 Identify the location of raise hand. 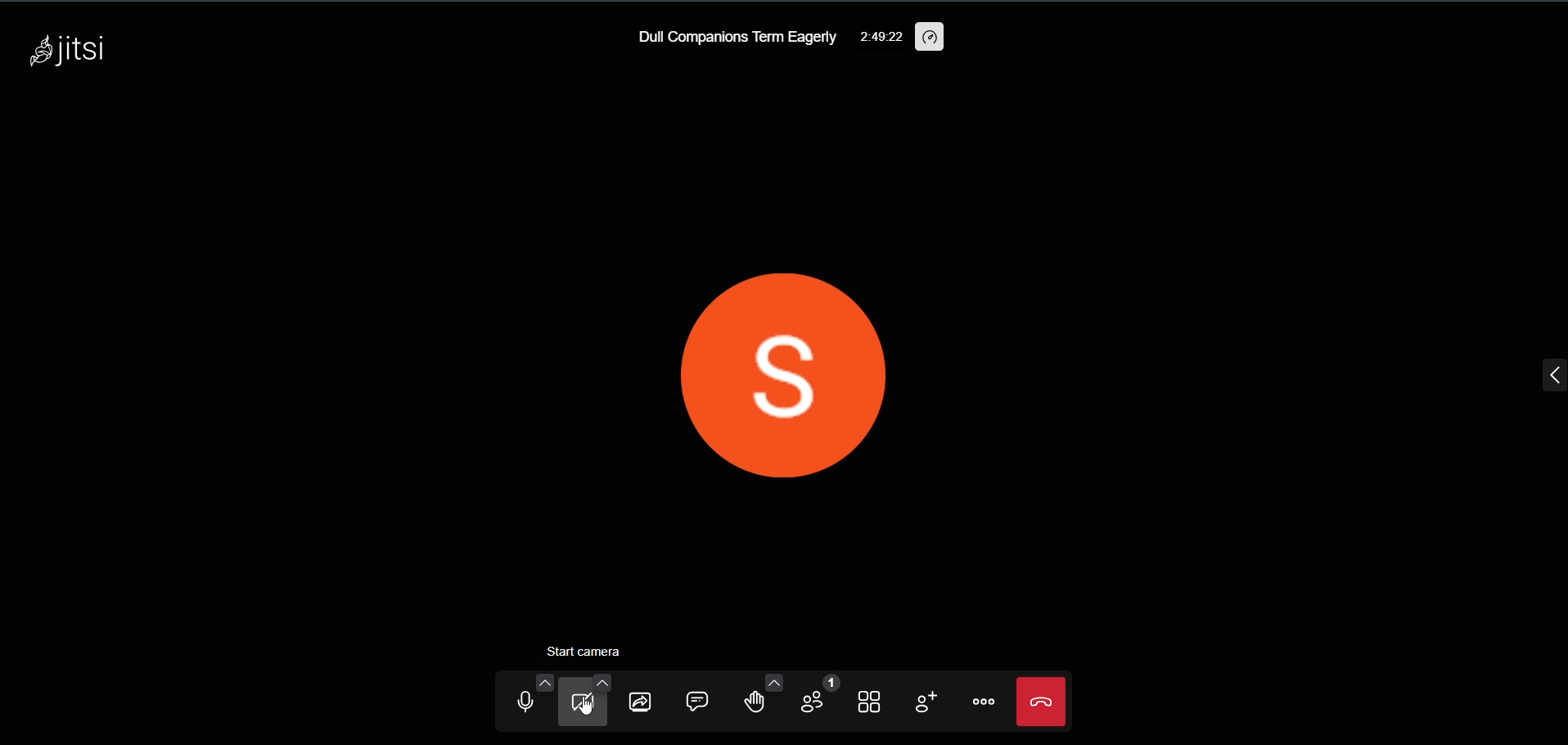
(747, 702).